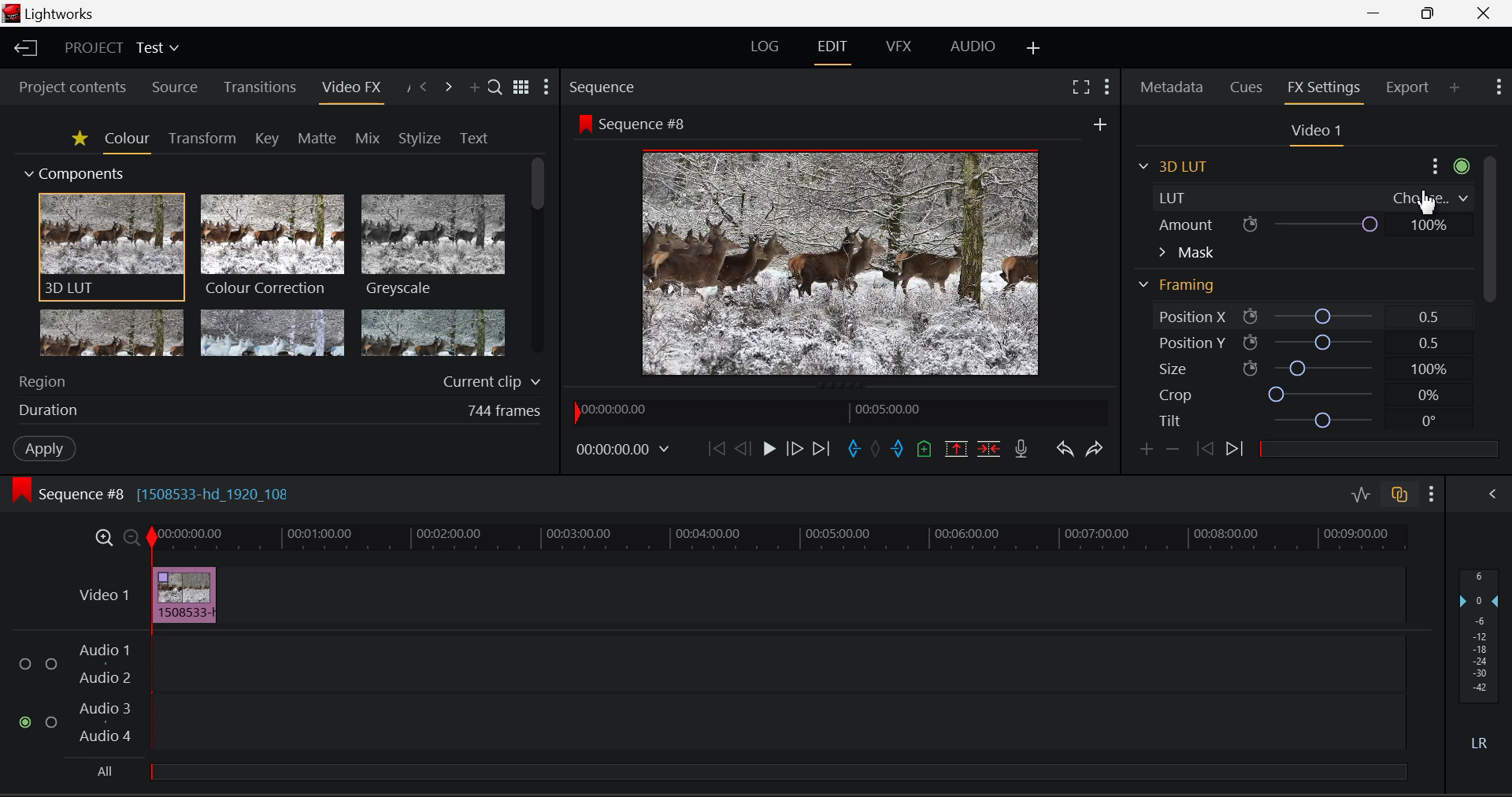  Describe the element at coordinates (1185, 254) in the screenshot. I see `Mask` at that location.